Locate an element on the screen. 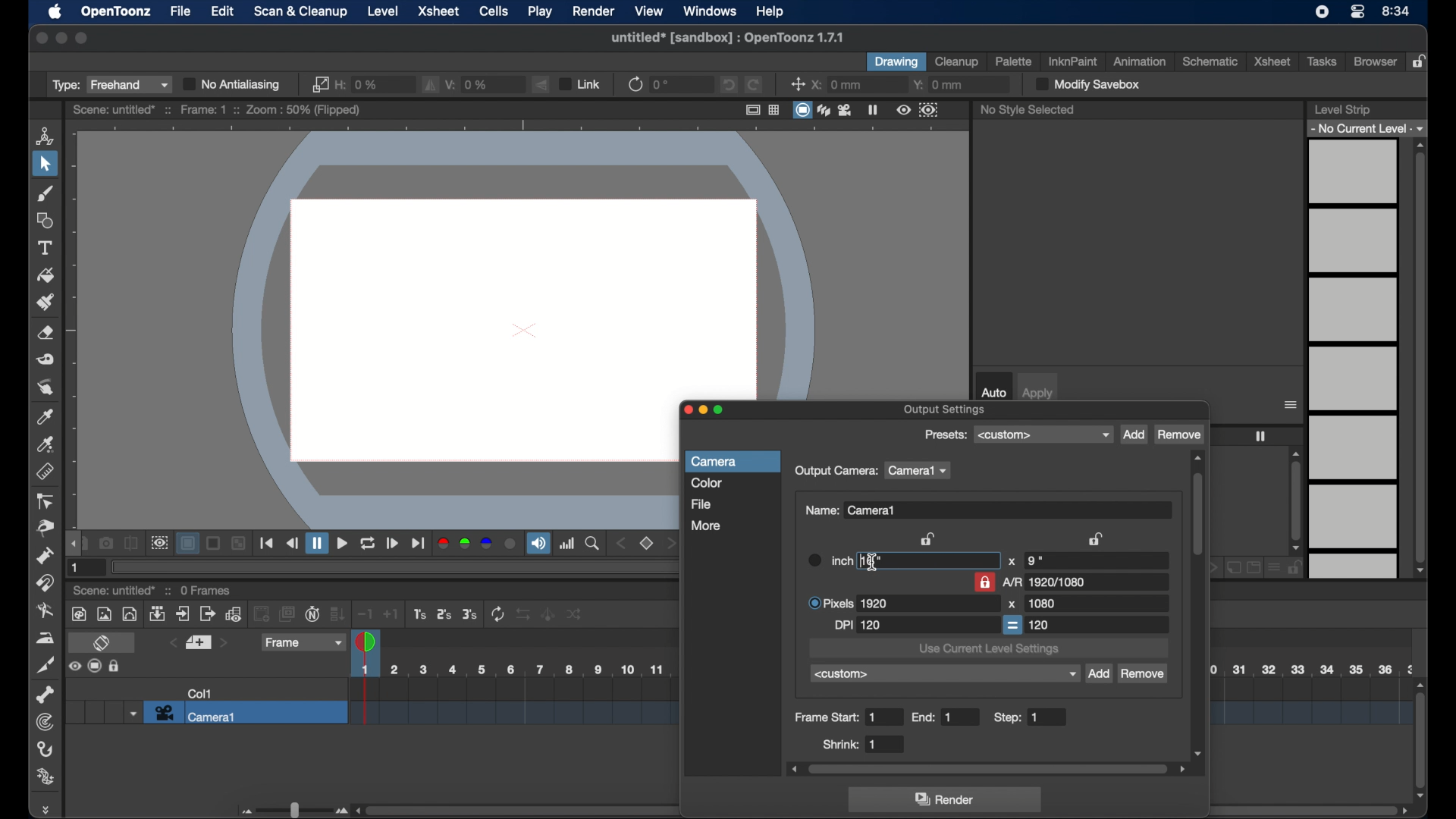 The height and width of the screenshot is (819, 1456).  is located at coordinates (318, 544).